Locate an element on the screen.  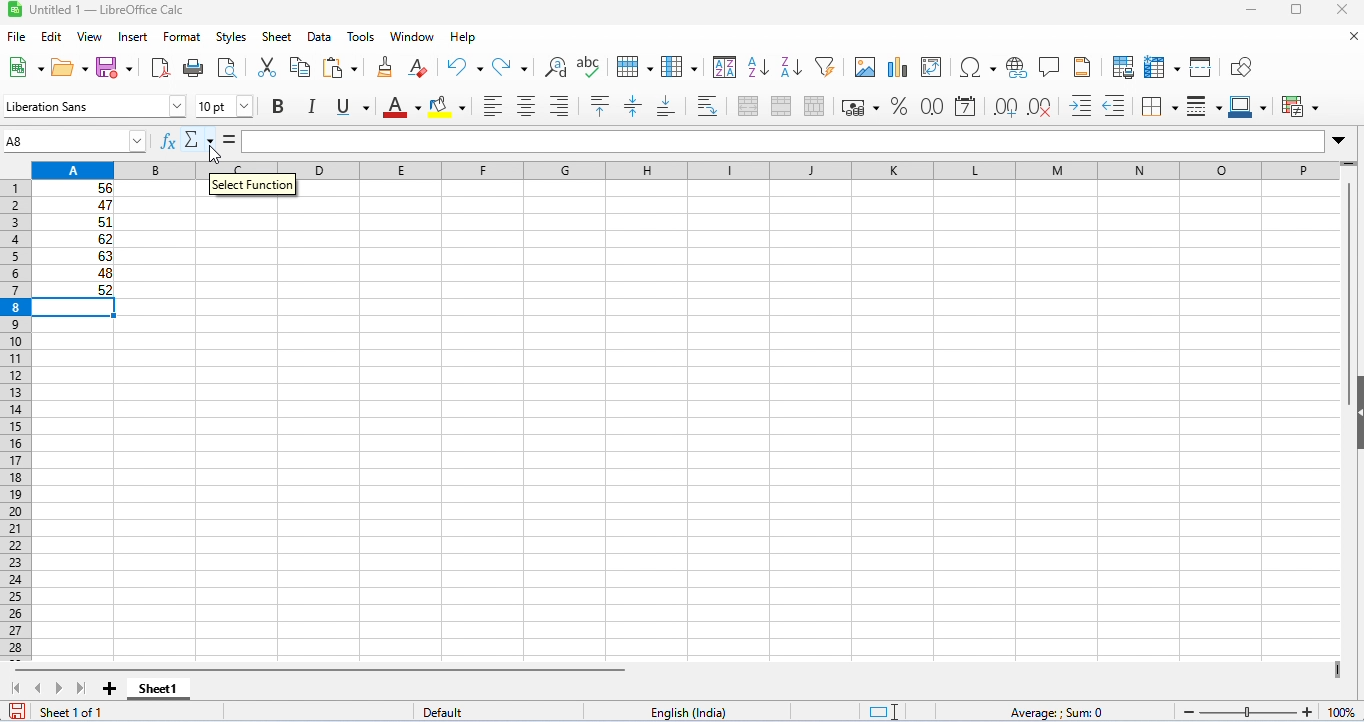
border is located at coordinates (1159, 106).